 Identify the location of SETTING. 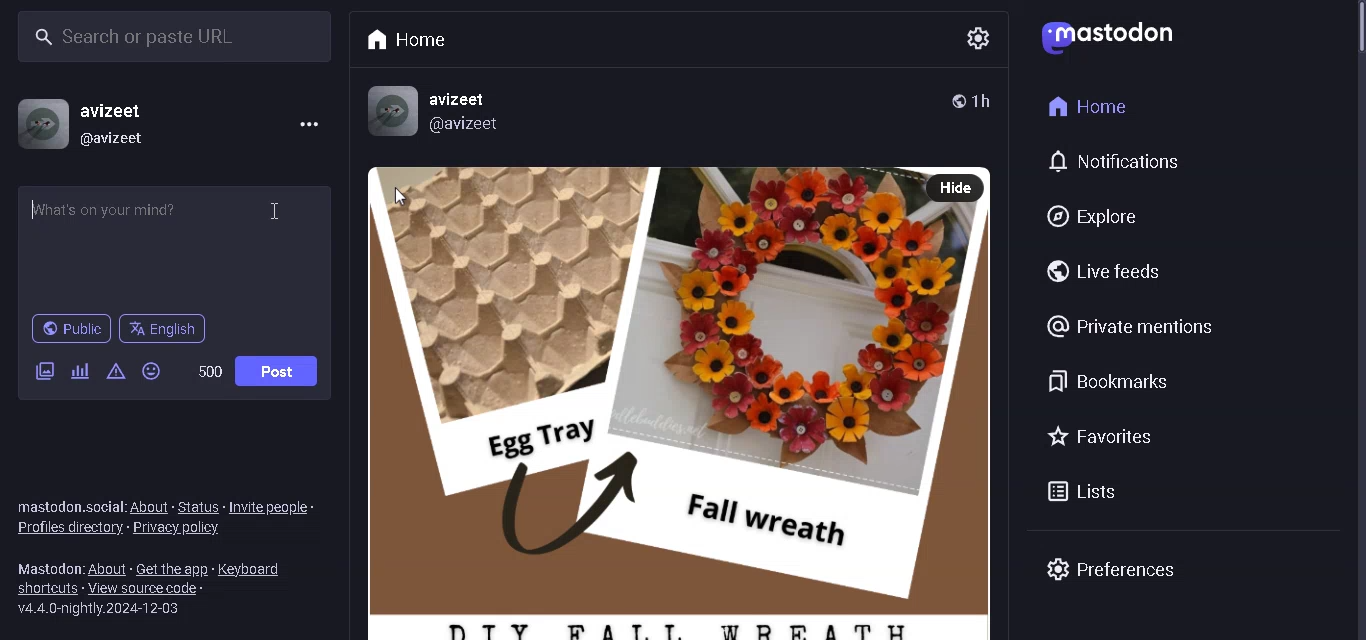
(982, 40).